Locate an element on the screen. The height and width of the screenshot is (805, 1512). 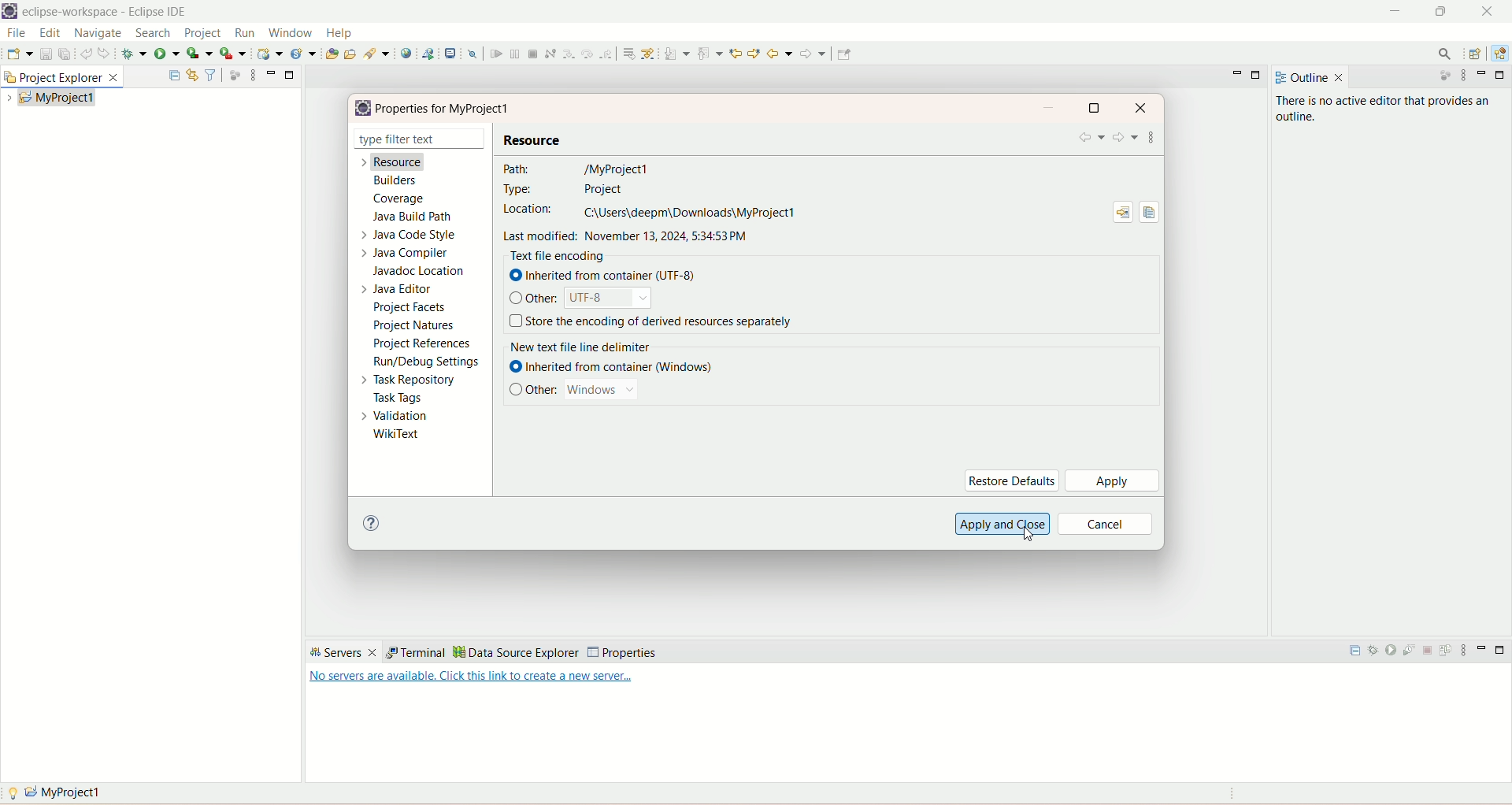
minimize is located at coordinates (1235, 74).